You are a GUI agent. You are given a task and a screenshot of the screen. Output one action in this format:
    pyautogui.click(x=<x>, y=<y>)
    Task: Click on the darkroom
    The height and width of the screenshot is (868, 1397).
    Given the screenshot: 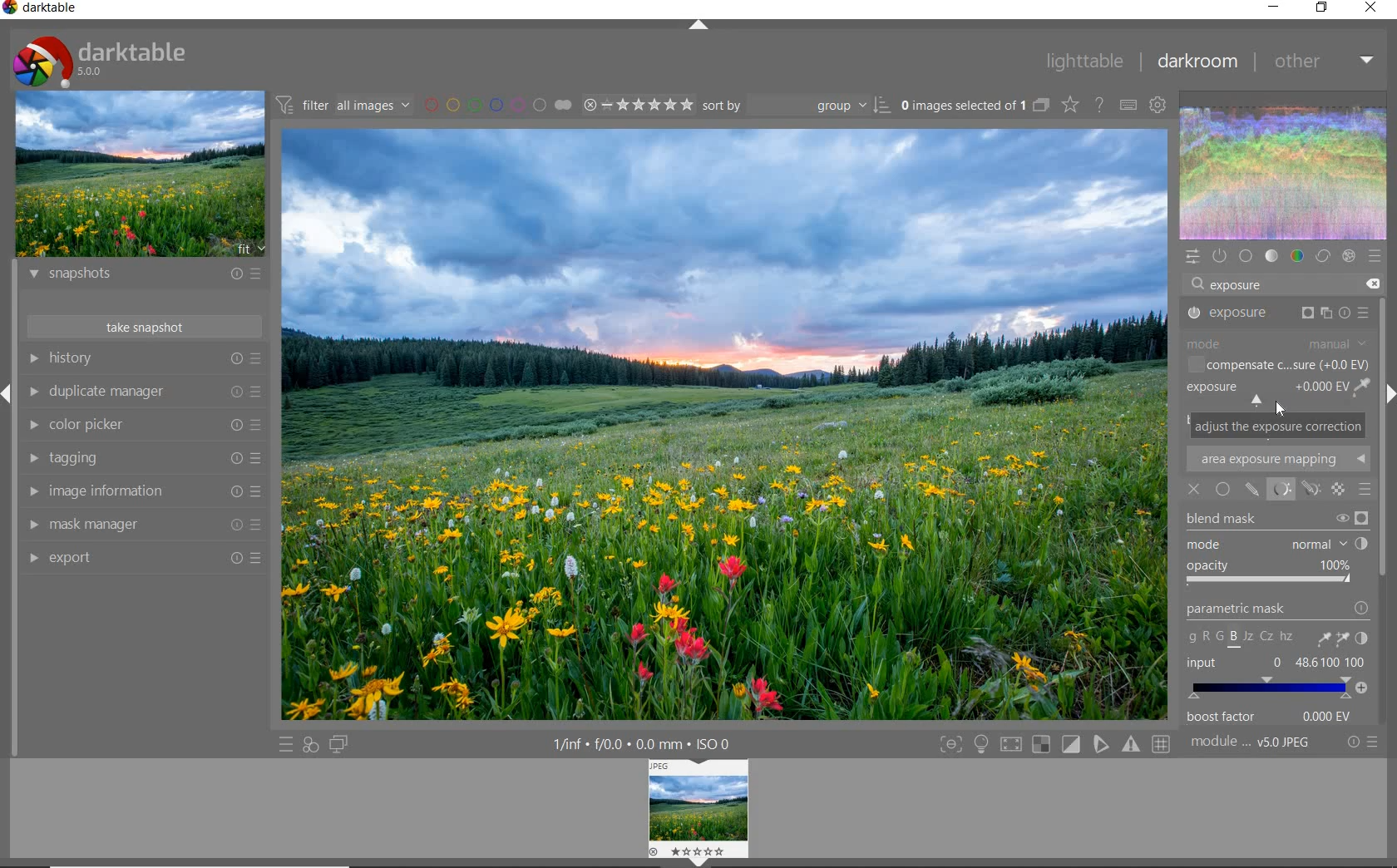 What is the action you would take?
    pyautogui.click(x=1200, y=62)
    